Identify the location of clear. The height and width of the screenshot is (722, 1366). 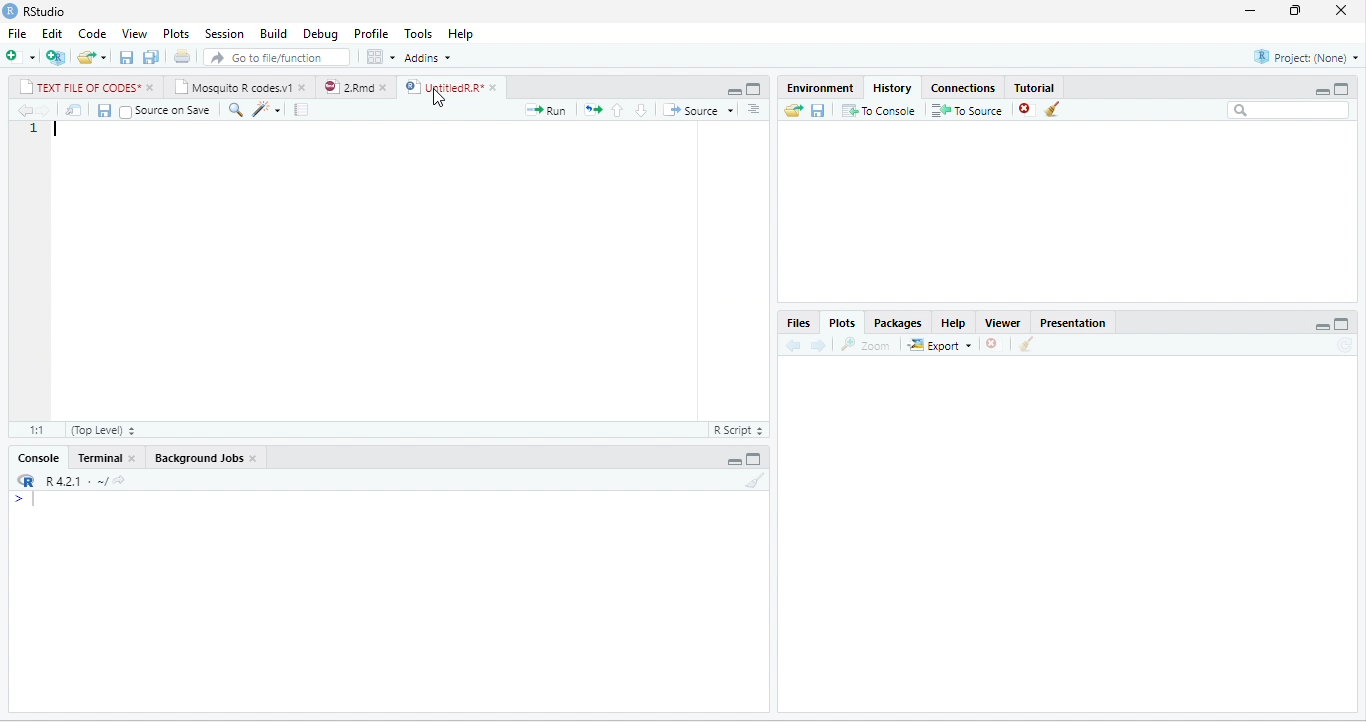
(756, 480).